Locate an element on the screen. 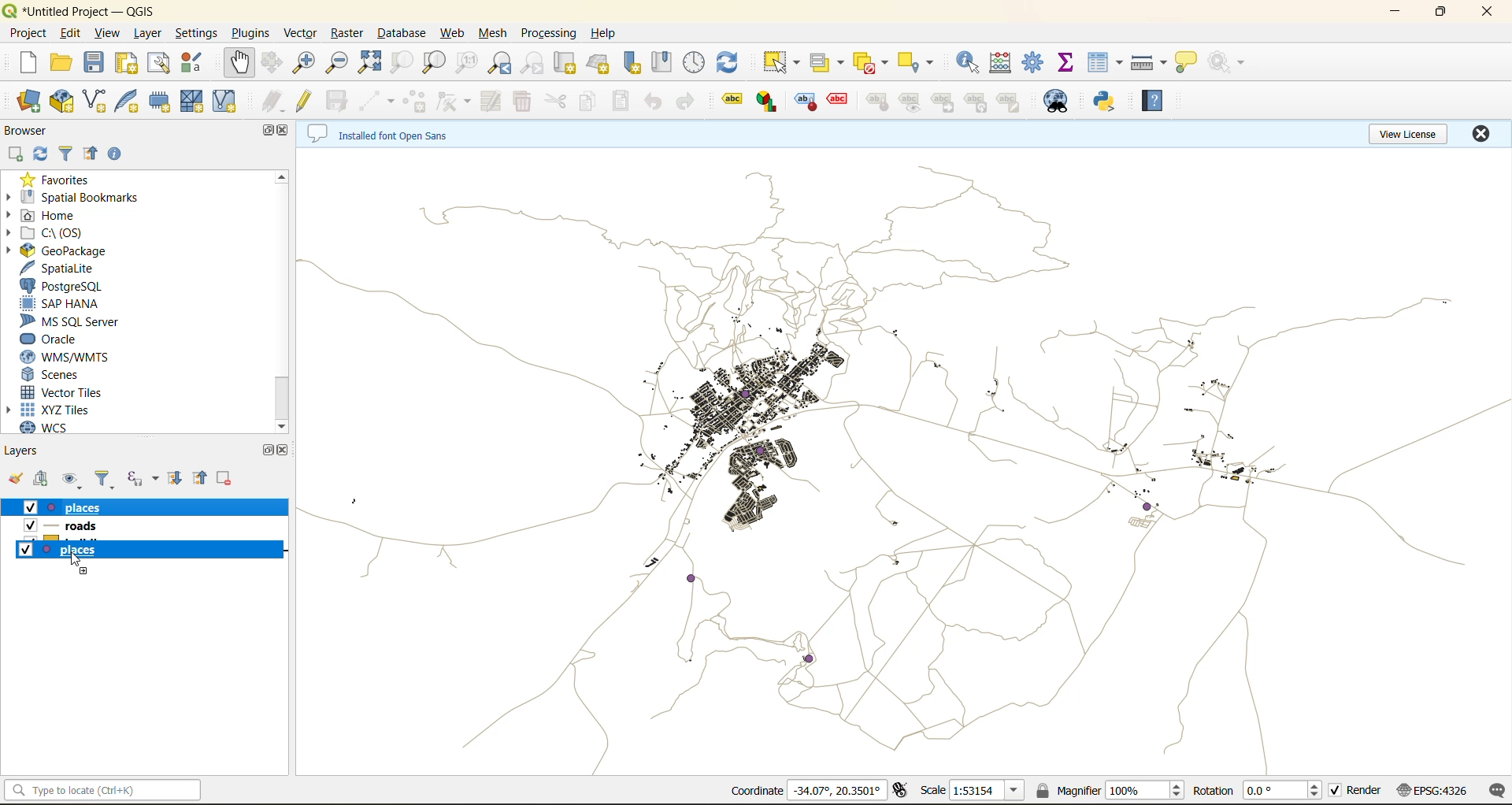  status bar is located at coordinates (104, 790).